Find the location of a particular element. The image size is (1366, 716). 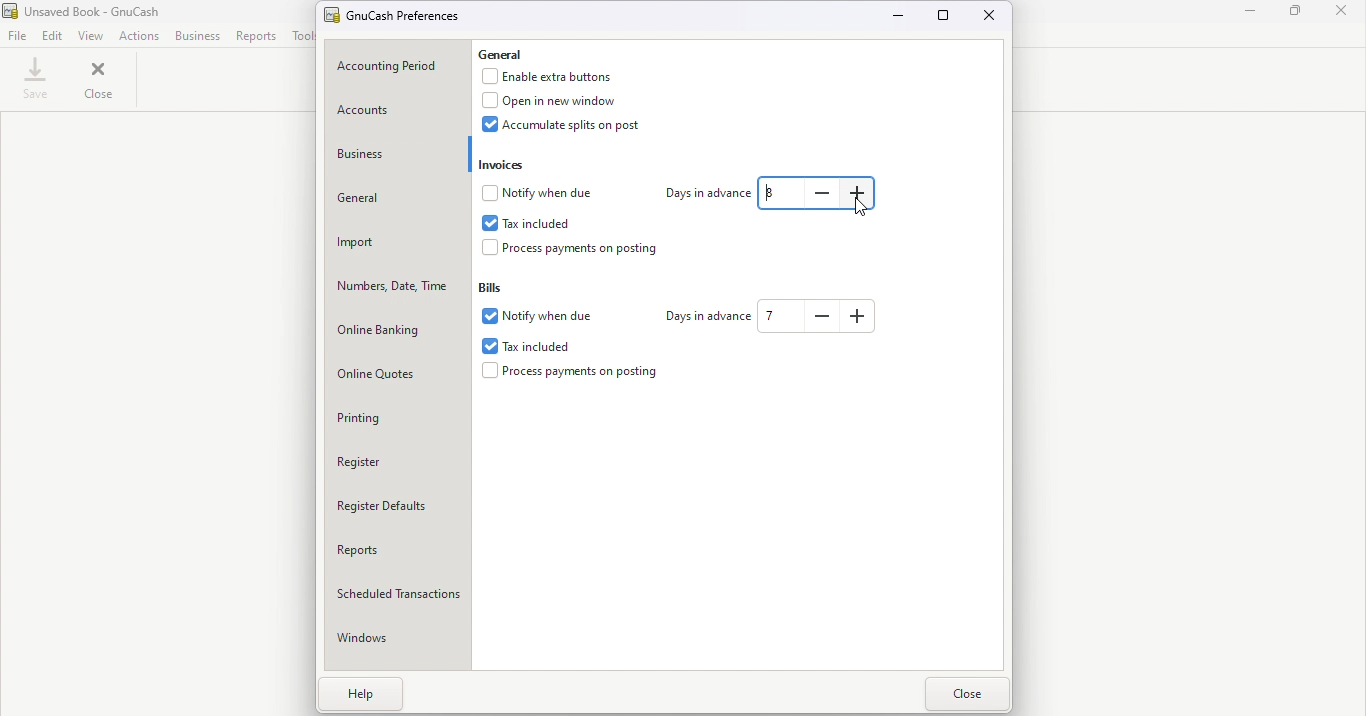

Business  is located at coordinates (394, 156).